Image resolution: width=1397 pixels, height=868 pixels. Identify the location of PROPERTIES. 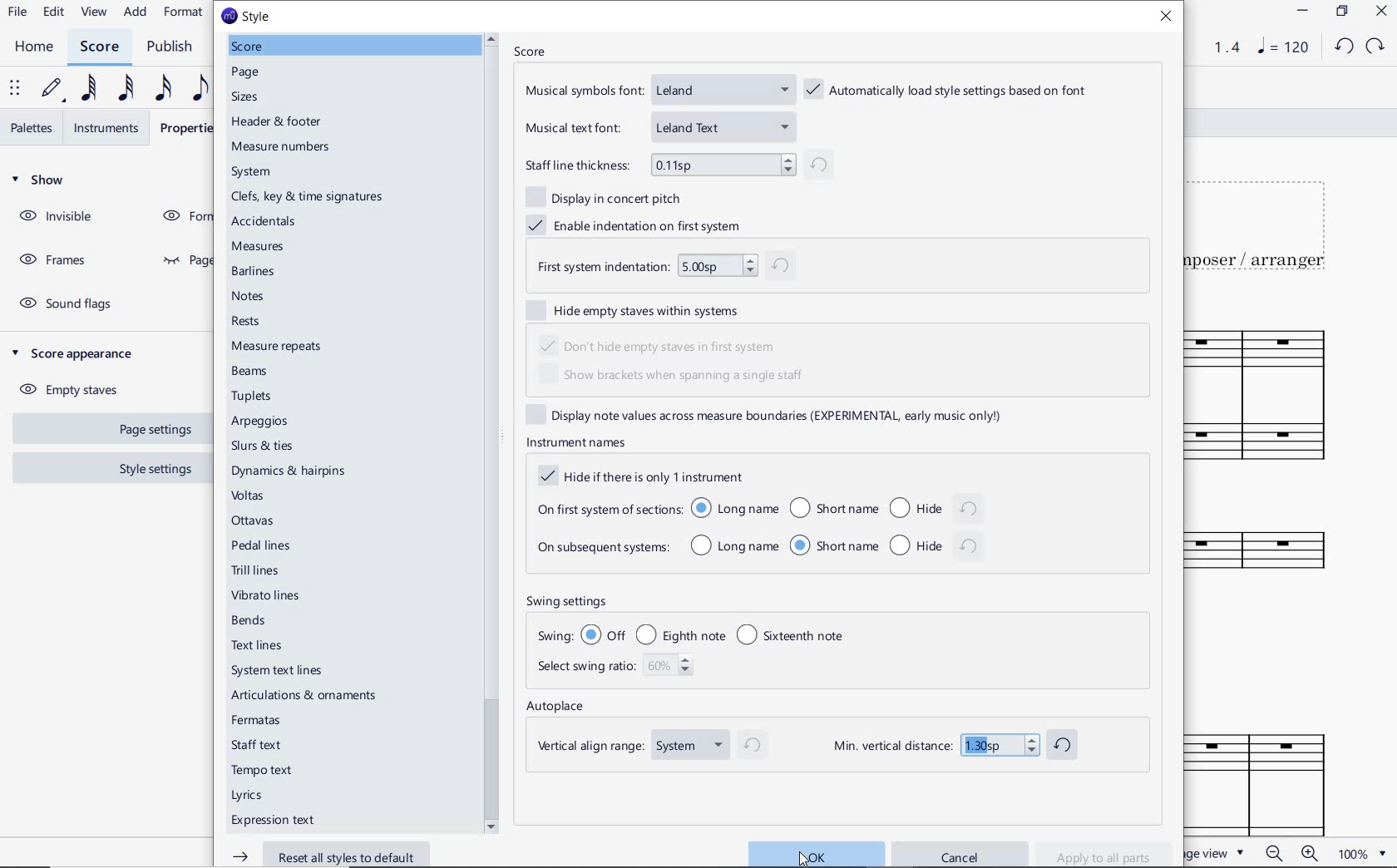
(186, 127).